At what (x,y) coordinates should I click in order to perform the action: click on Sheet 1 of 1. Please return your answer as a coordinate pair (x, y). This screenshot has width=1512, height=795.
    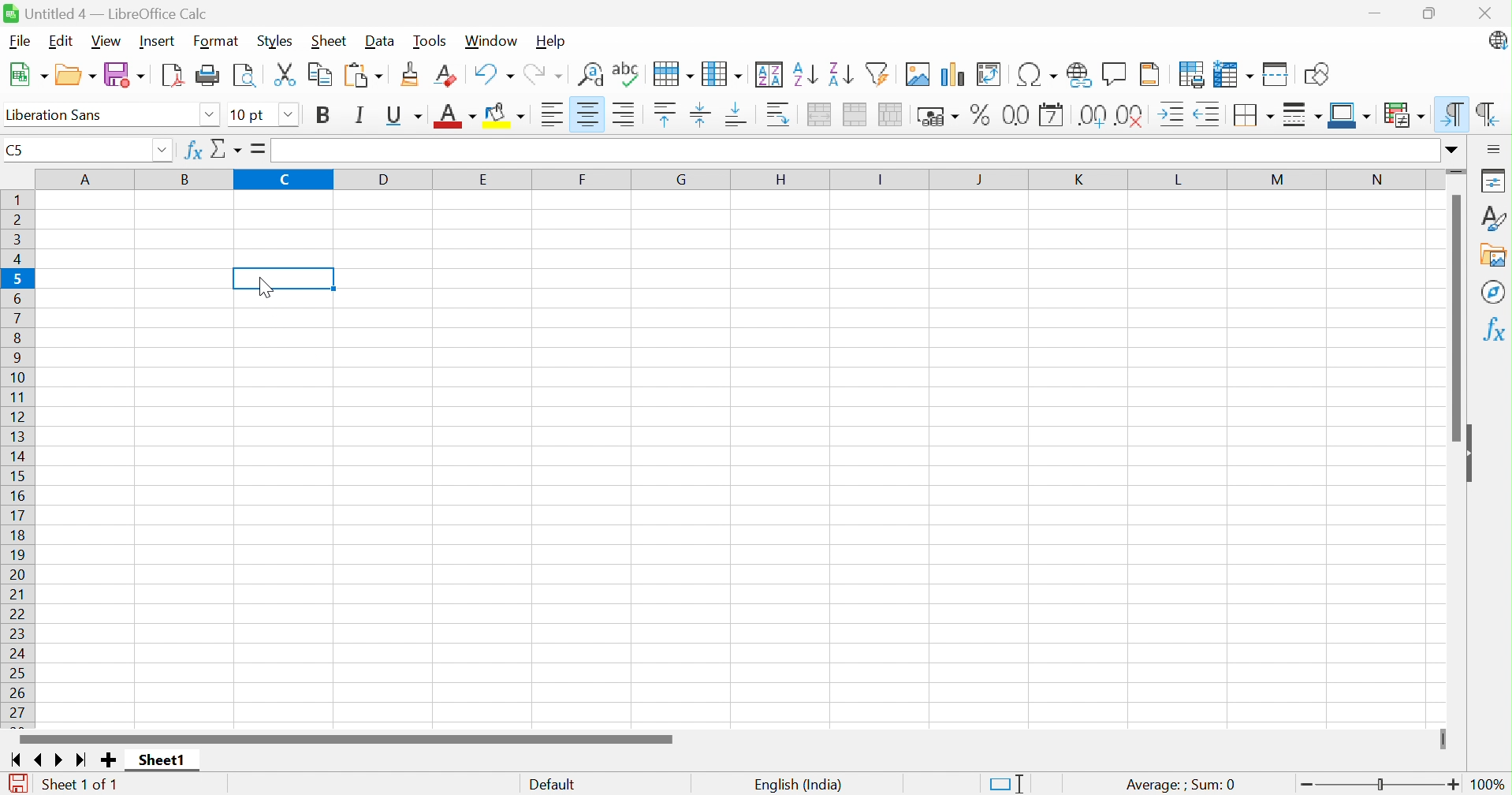
    Looking at the image, I should click on (82, 782).